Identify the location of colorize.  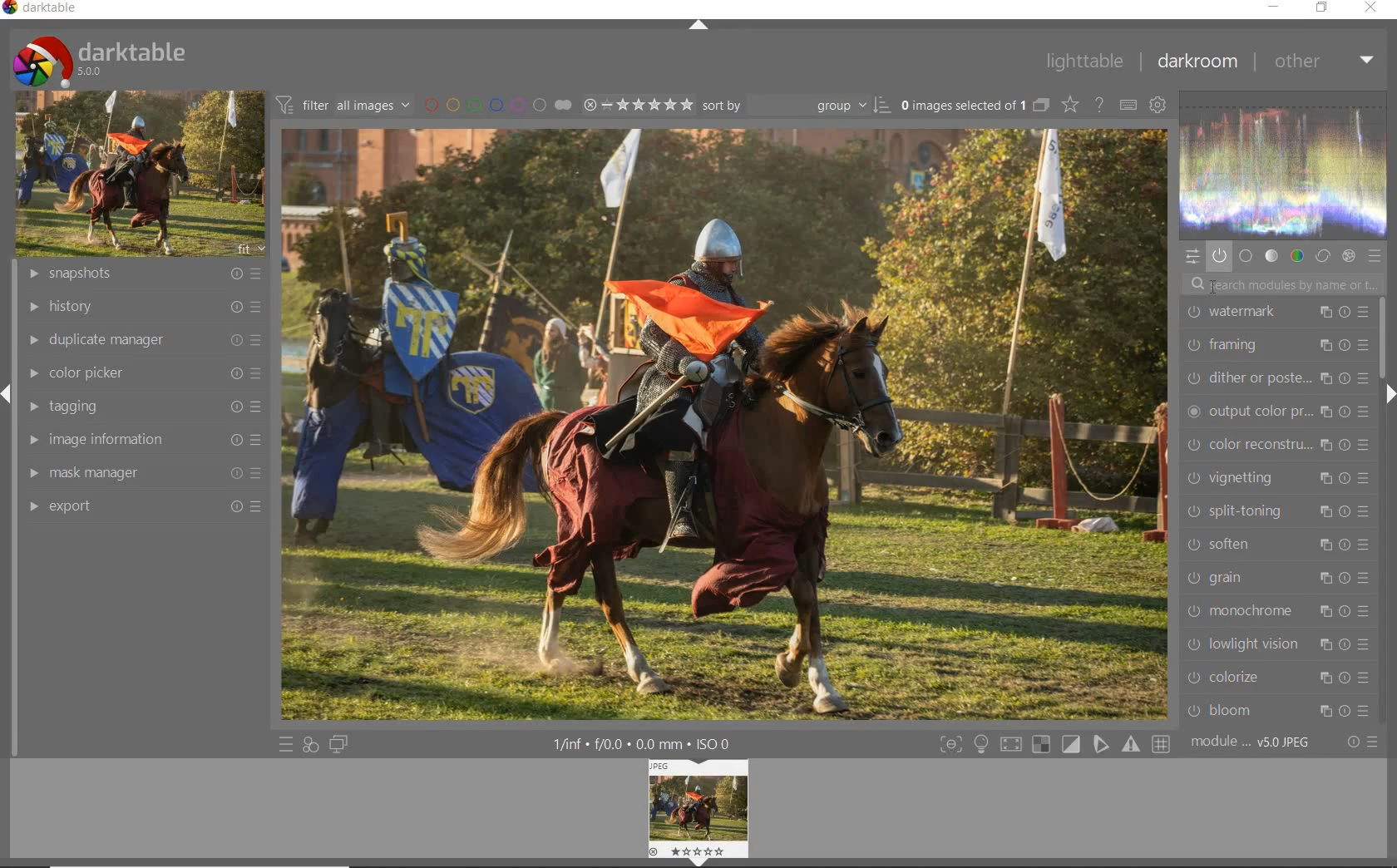
(1276, 678).